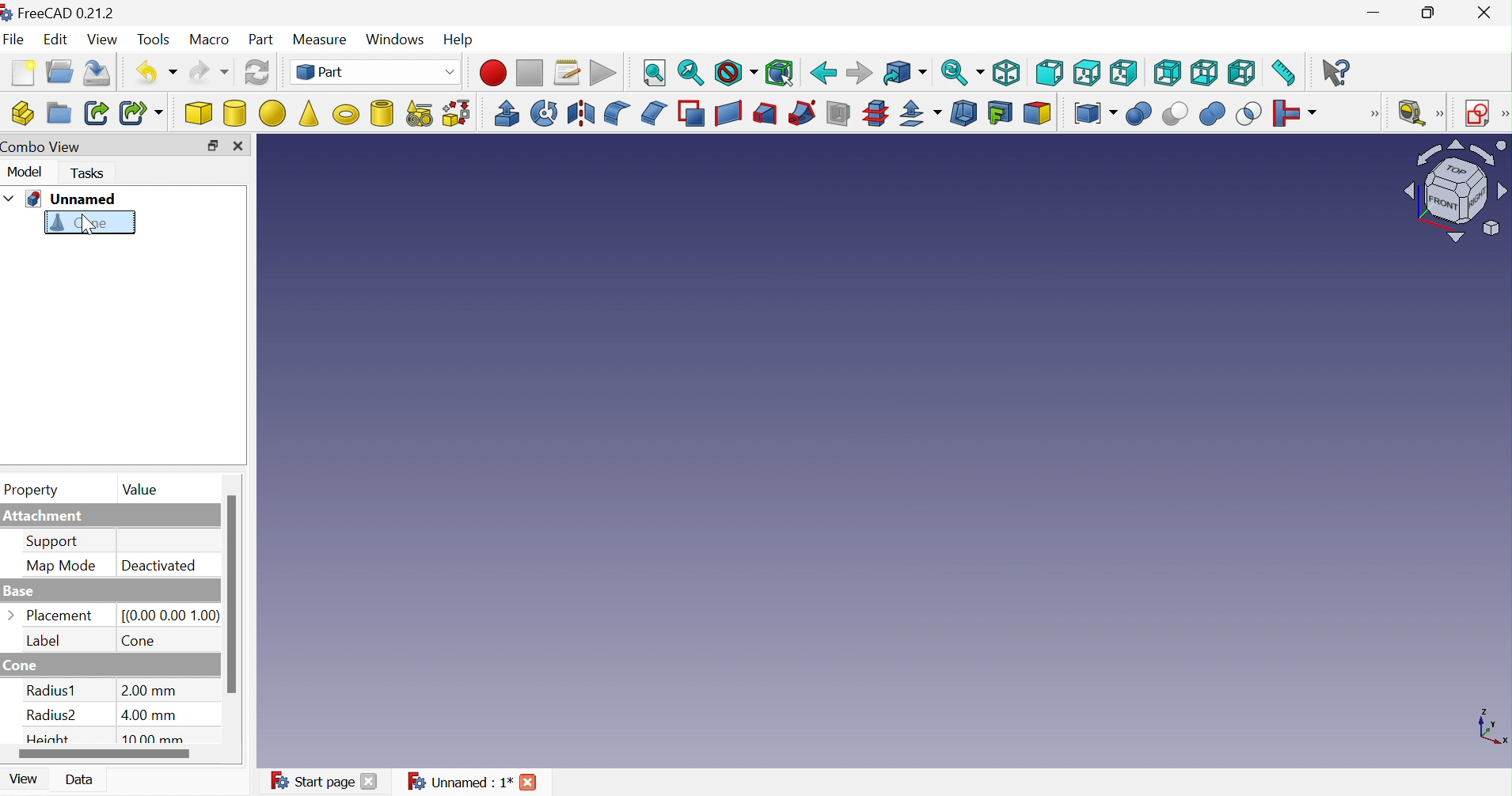  I want to click on File, so click(14, 40).